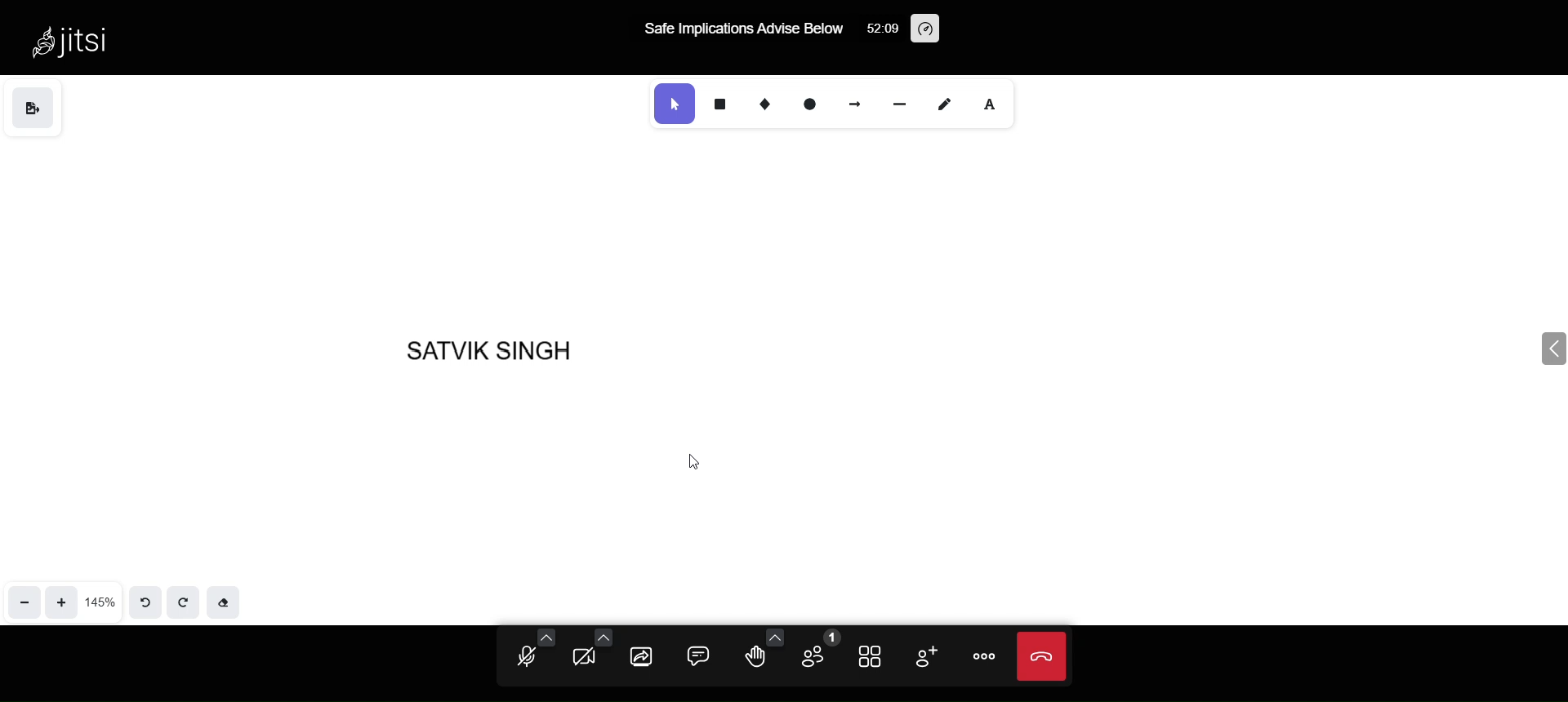 The width and height of the screenshot is (1568, 702). What do you see at coordinates (700, 655) in the screenshot?
I see `open chat box` at bounding box center [700, 655].